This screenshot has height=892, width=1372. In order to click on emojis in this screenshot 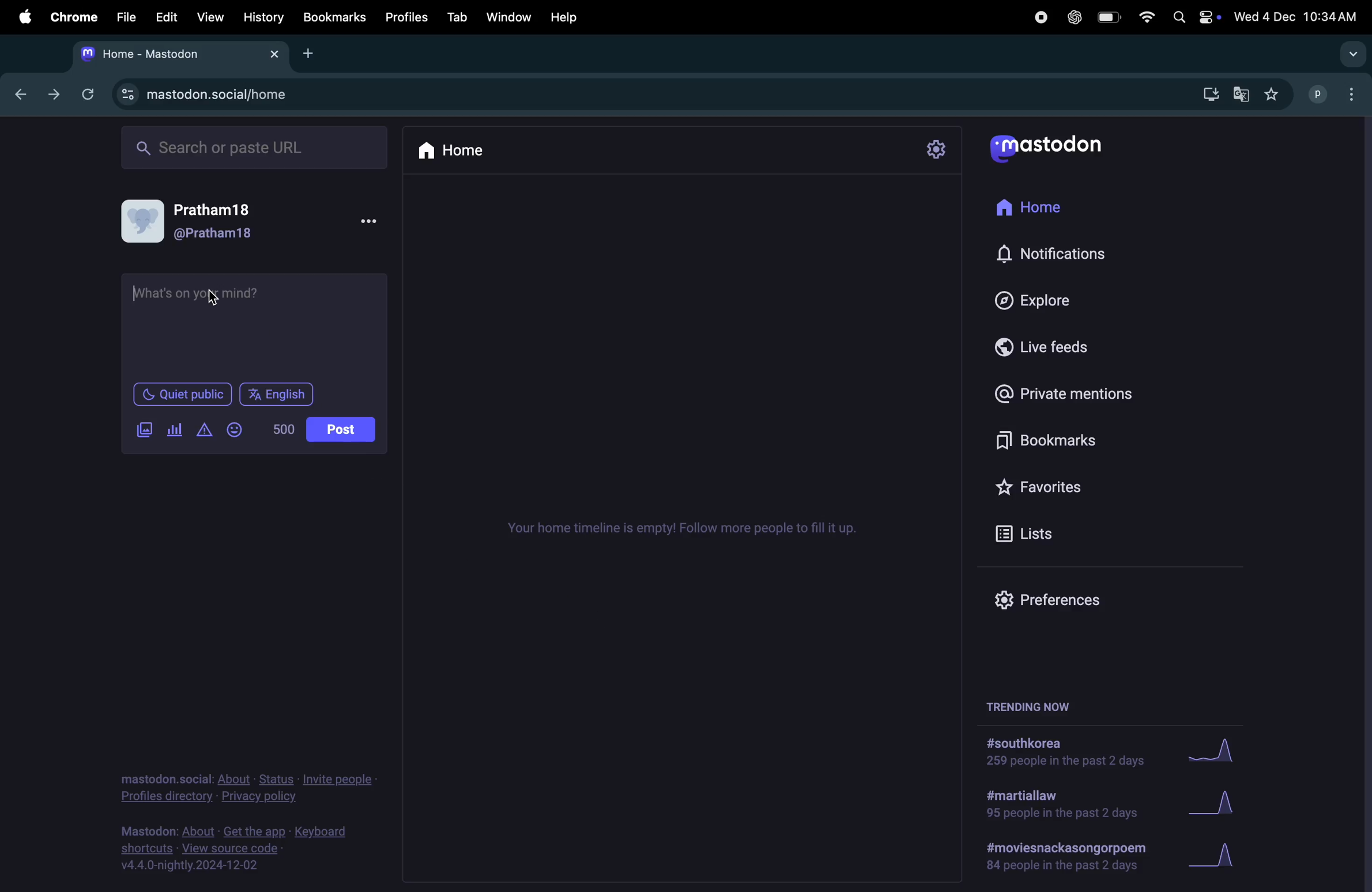, I will do `click(237, 429)`.